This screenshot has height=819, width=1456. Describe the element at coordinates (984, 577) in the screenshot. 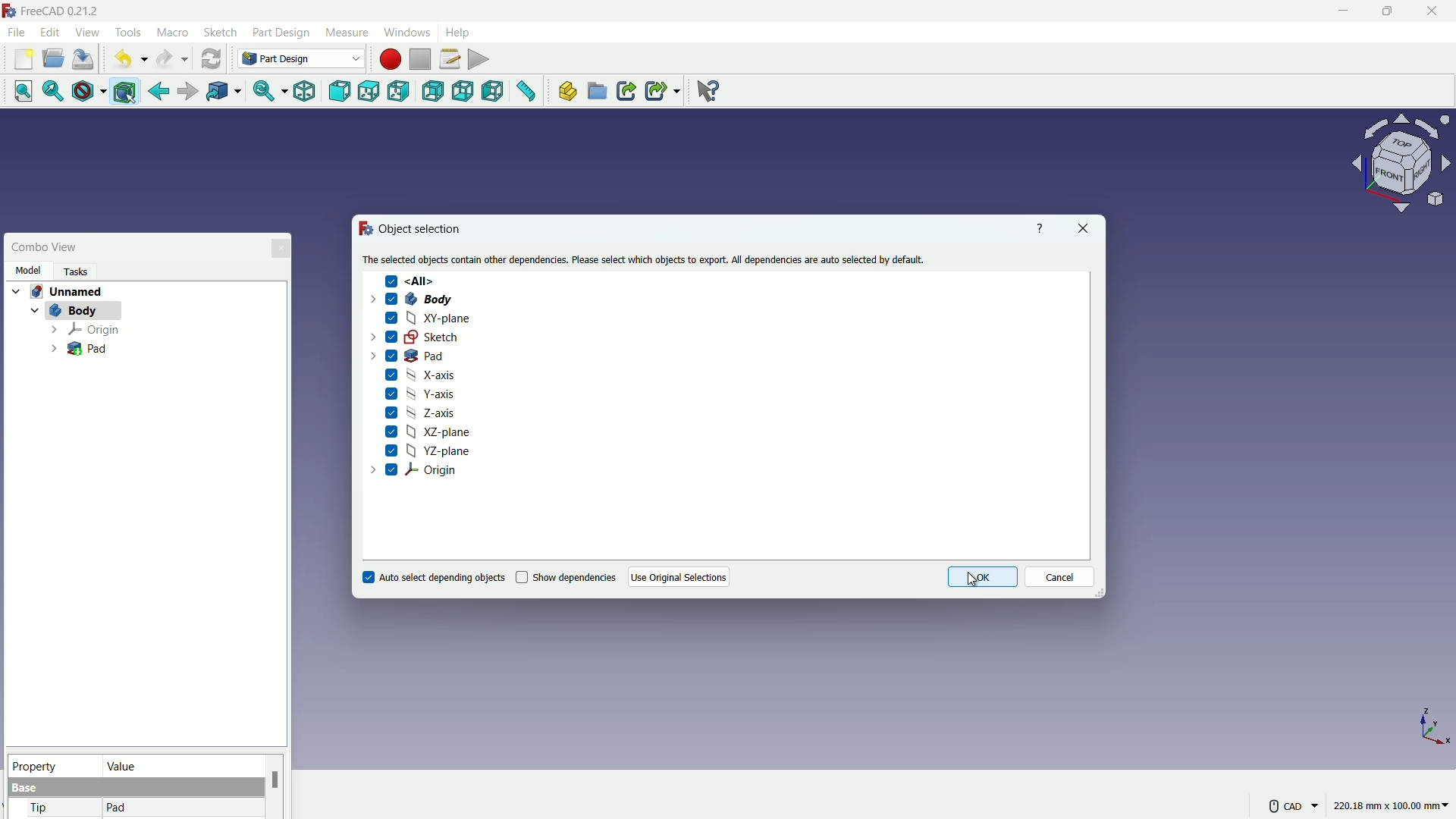

I see `OK` at that location.